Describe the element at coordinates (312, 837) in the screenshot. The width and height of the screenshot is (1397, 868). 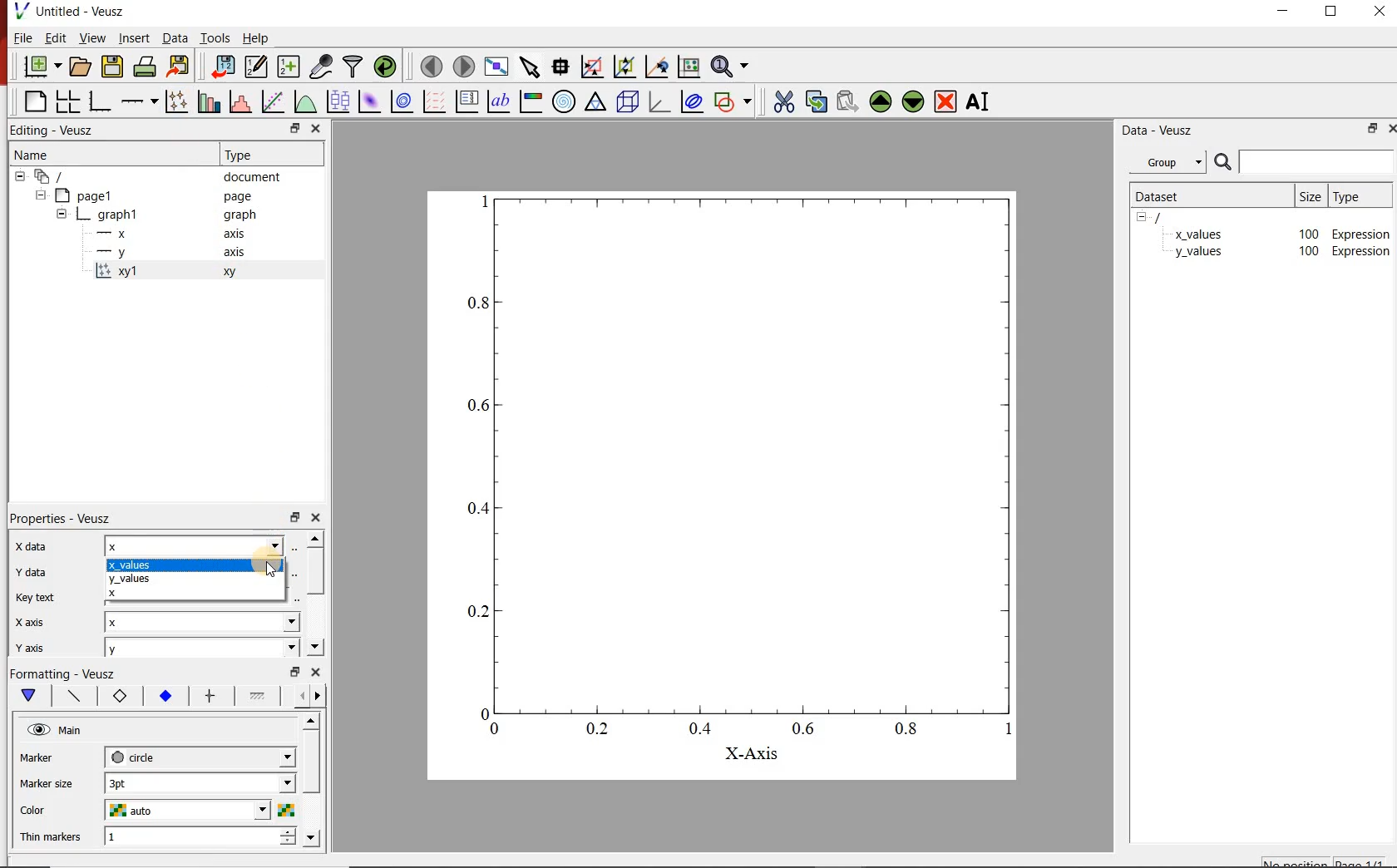
I see `move down` at that location.